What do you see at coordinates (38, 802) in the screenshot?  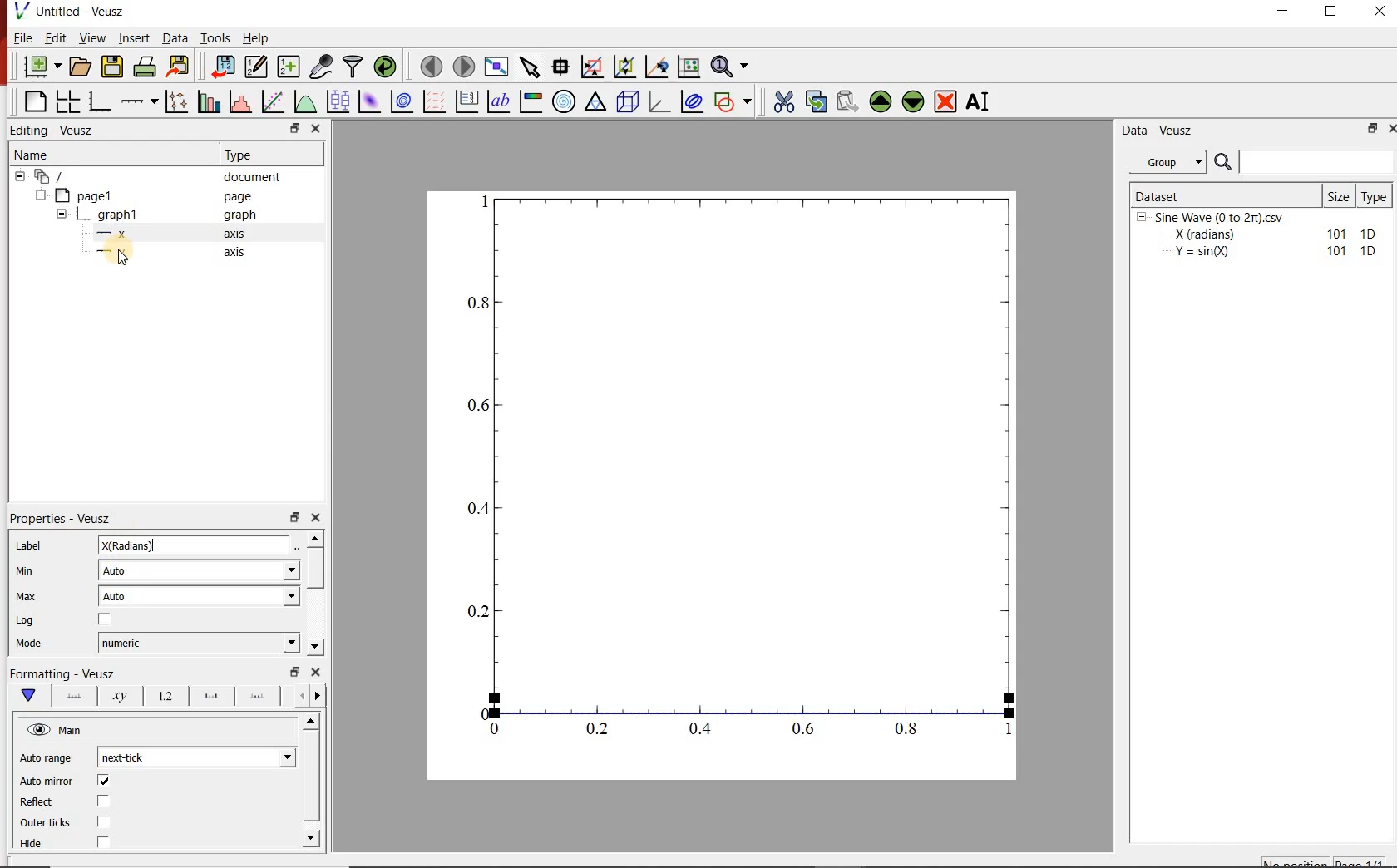 I see `Reflect` at bounding box center [38, 802].